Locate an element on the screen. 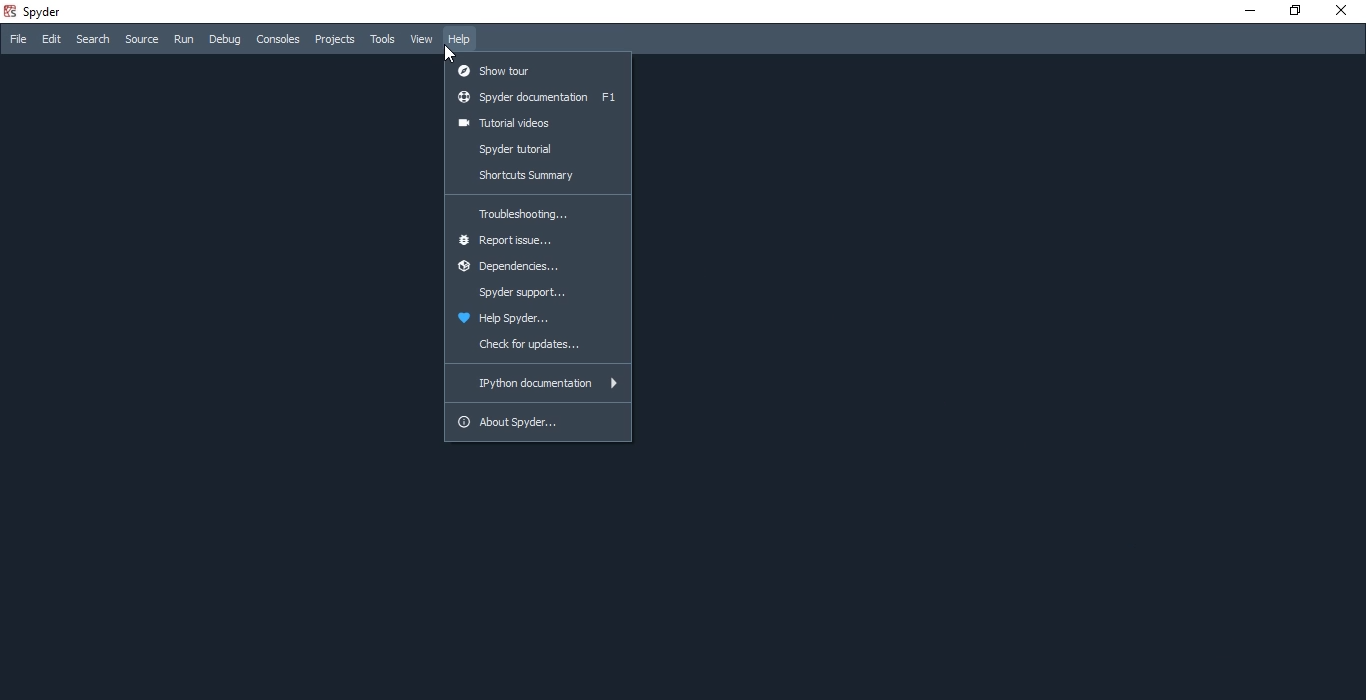  tutorial videos is located at coordinates (539, 122).